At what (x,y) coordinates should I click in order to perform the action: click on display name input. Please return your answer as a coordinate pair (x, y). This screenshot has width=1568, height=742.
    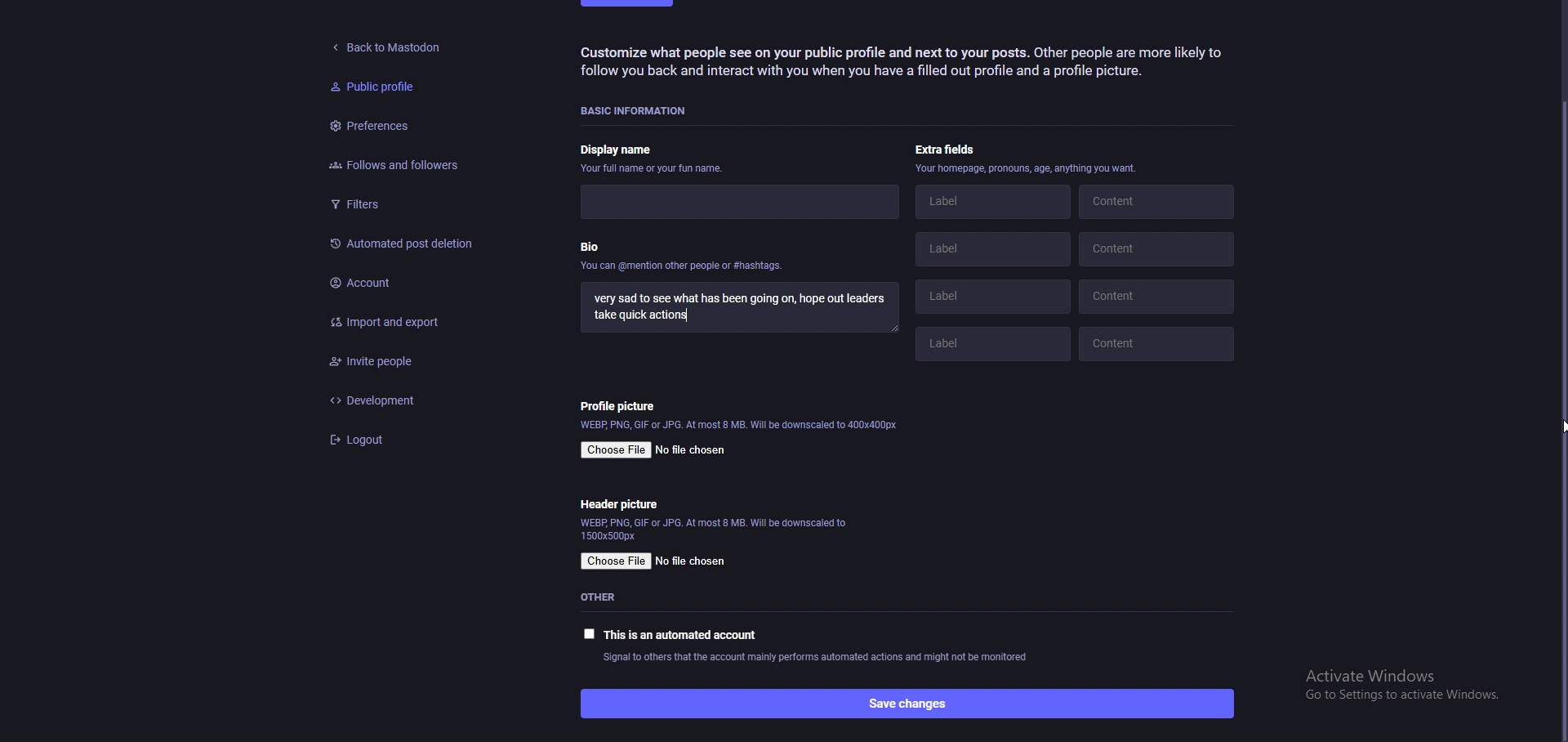
    Looking at the image, I should click on (733, 200).